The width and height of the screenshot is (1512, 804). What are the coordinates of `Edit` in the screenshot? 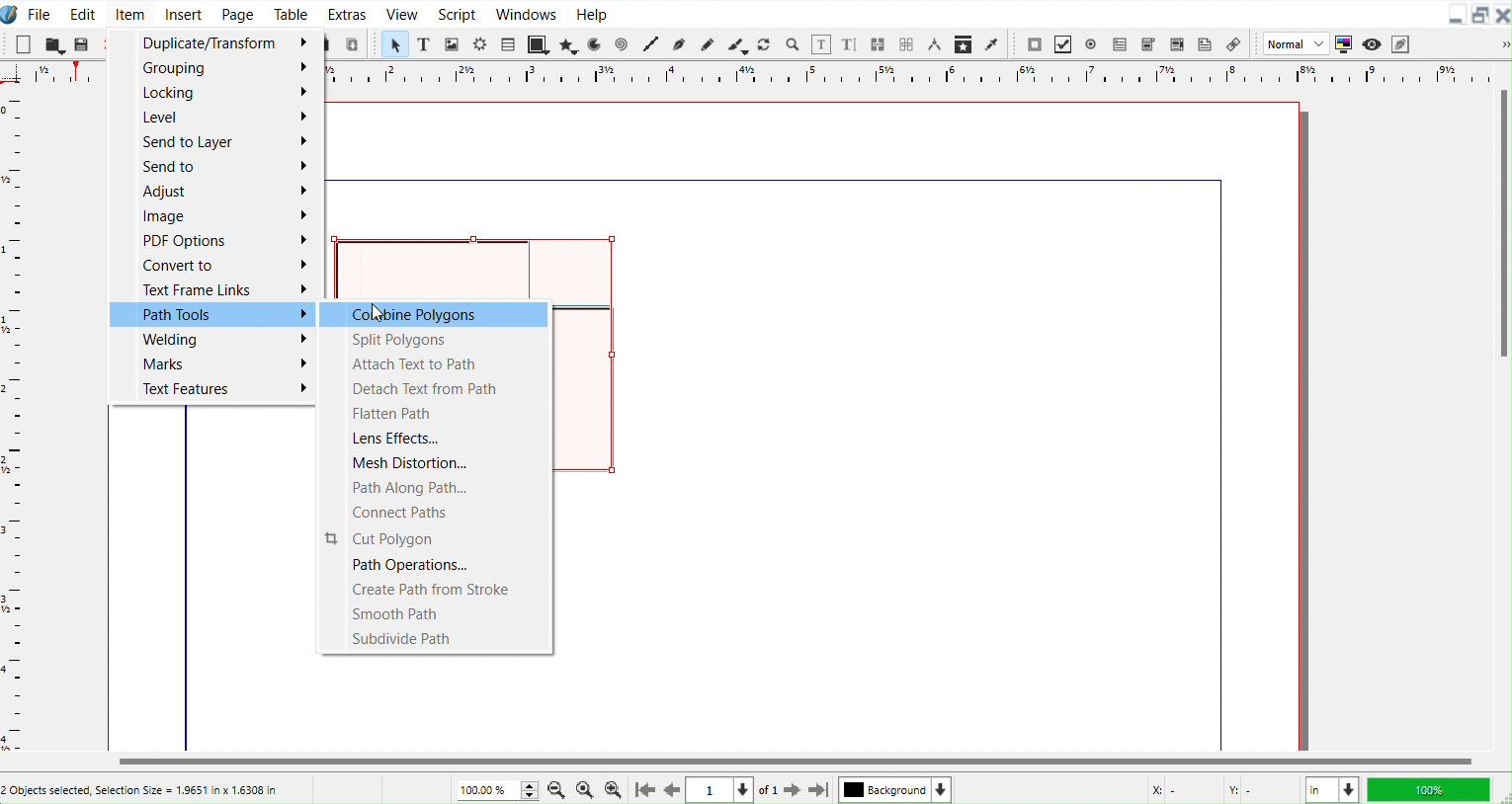 It's located at (82, 12).